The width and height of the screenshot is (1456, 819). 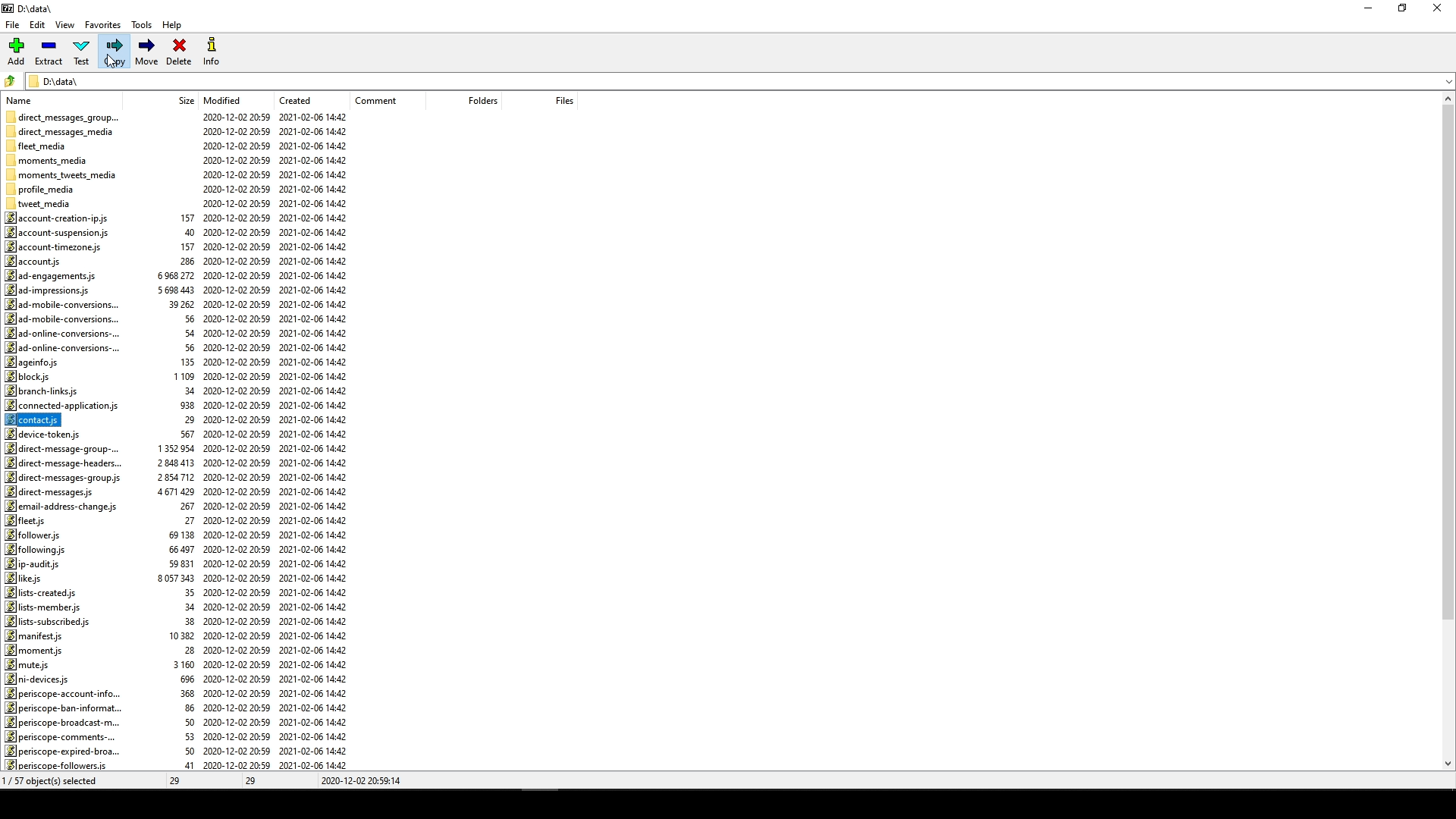 I want to click on Test, so click(x=83, y=52).